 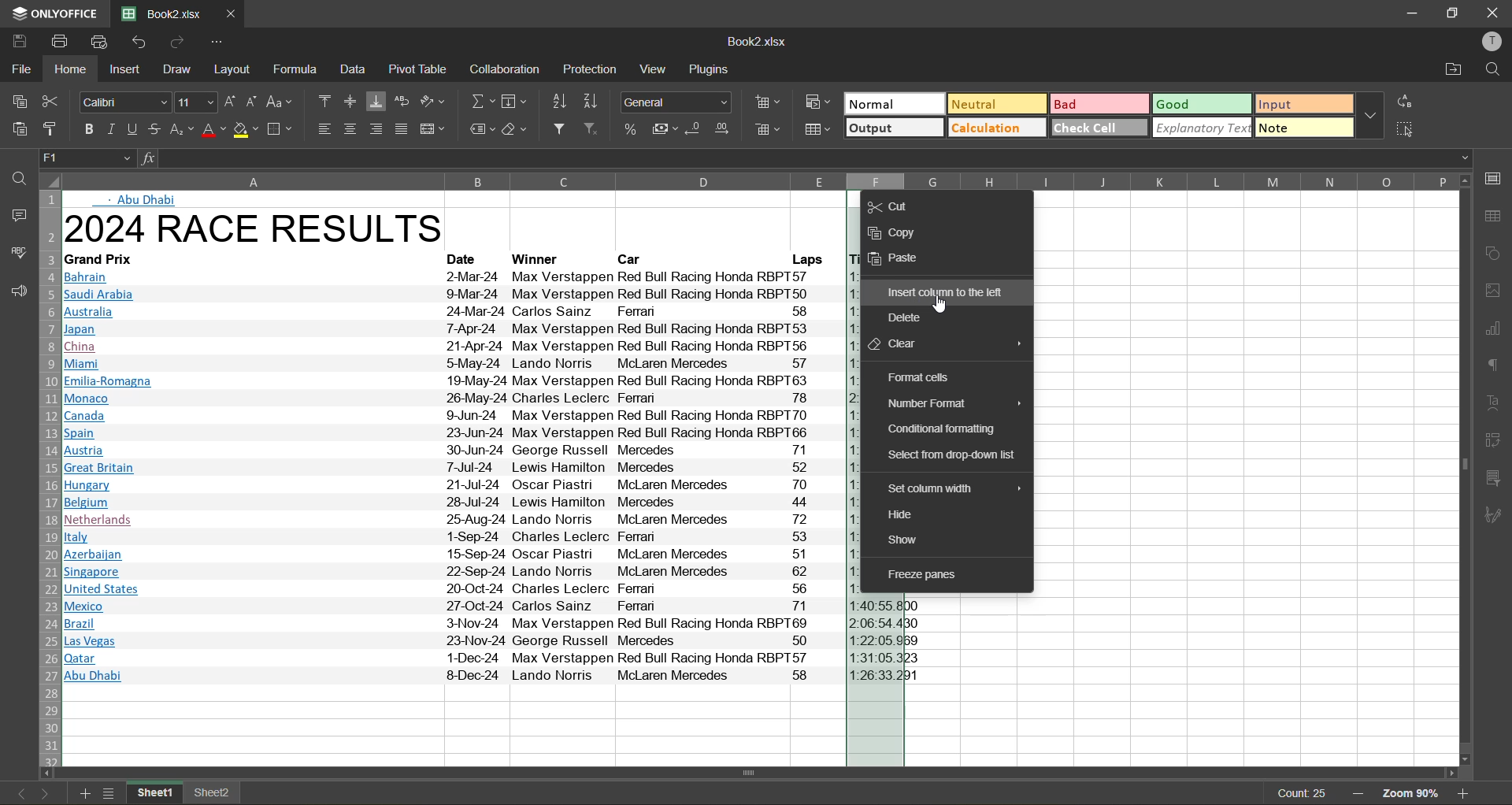 What do you see at coordinates (628, 127) in the screenshot?
I see `percent` at bounding box center [628, 127].